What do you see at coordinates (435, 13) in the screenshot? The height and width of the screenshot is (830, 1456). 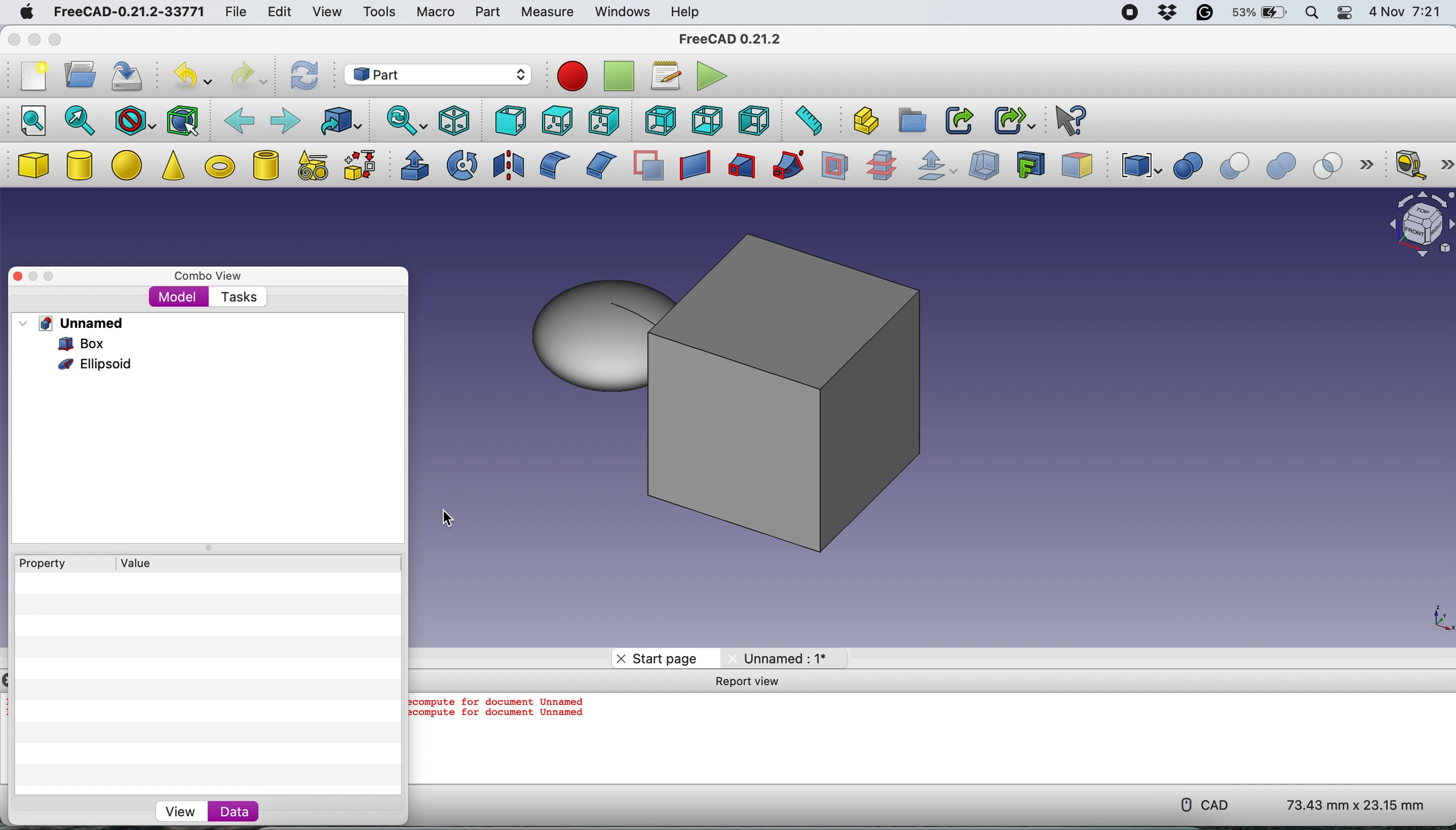 I see `macro` at bounding box center [435, 13].